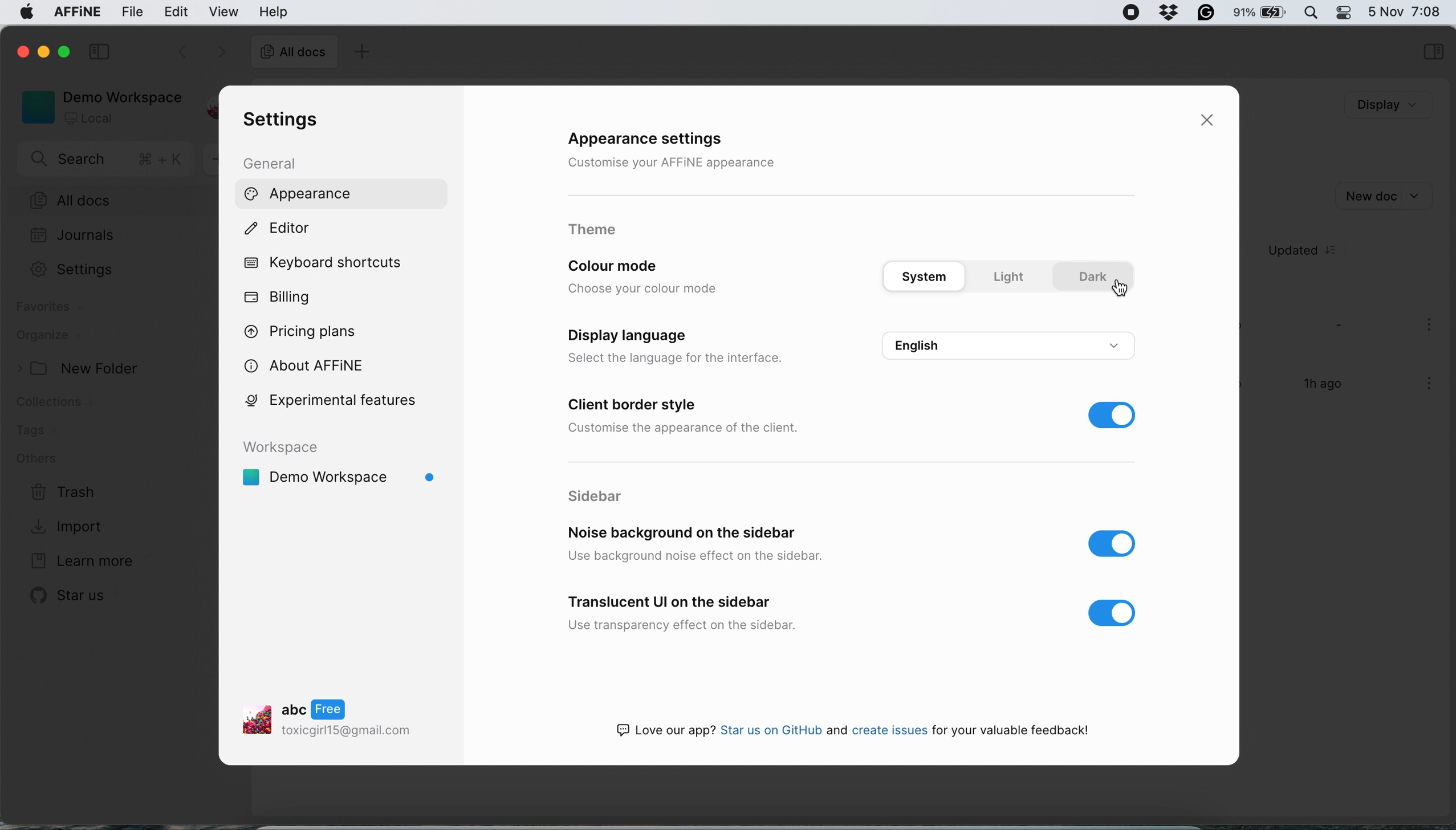  Describe the element at coordinates (1431, 50) in the screenshot. I see `sidebar` at that location.